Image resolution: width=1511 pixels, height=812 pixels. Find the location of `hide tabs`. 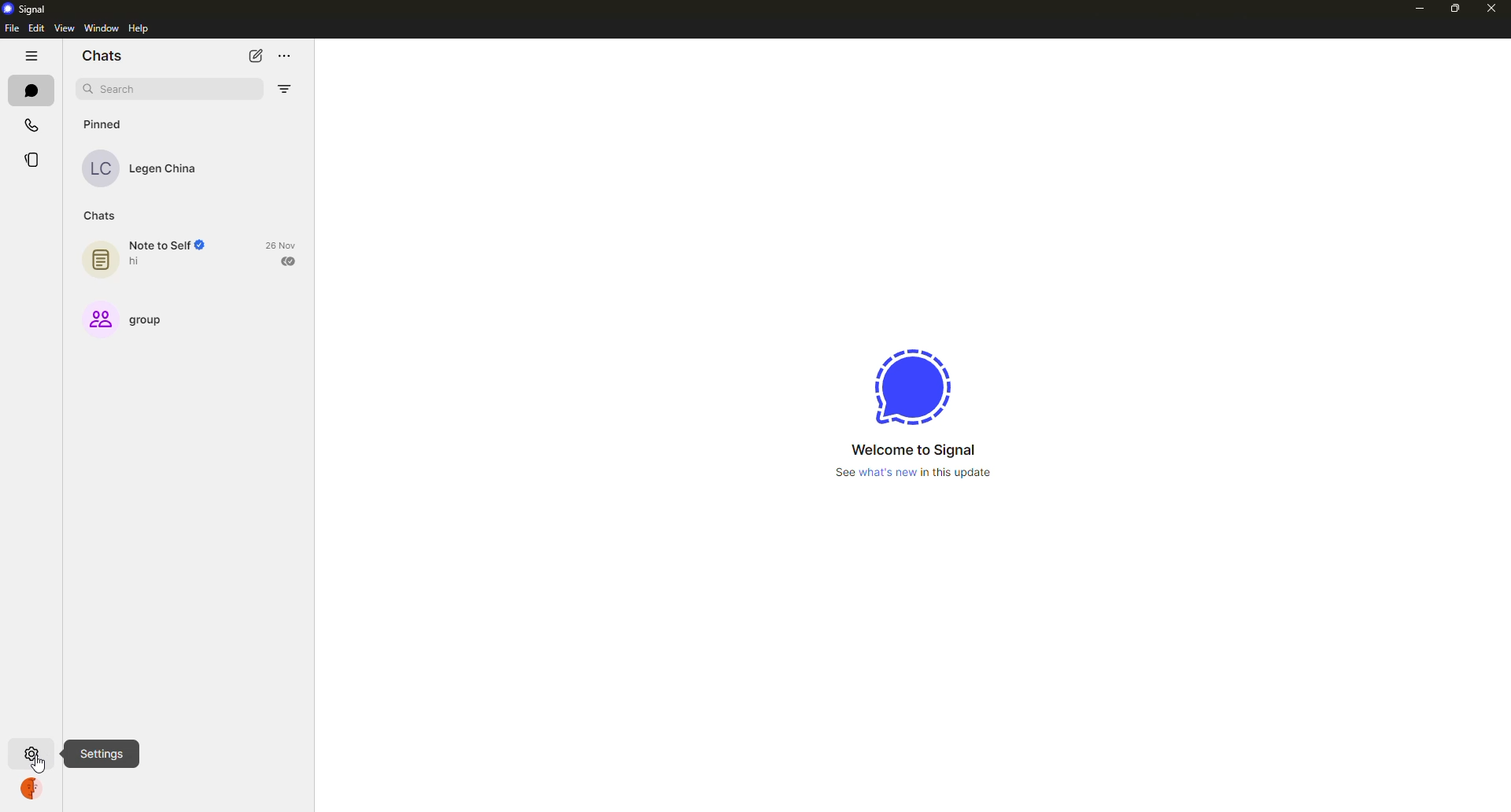

hide tabs is located at coordinates (31, 56).